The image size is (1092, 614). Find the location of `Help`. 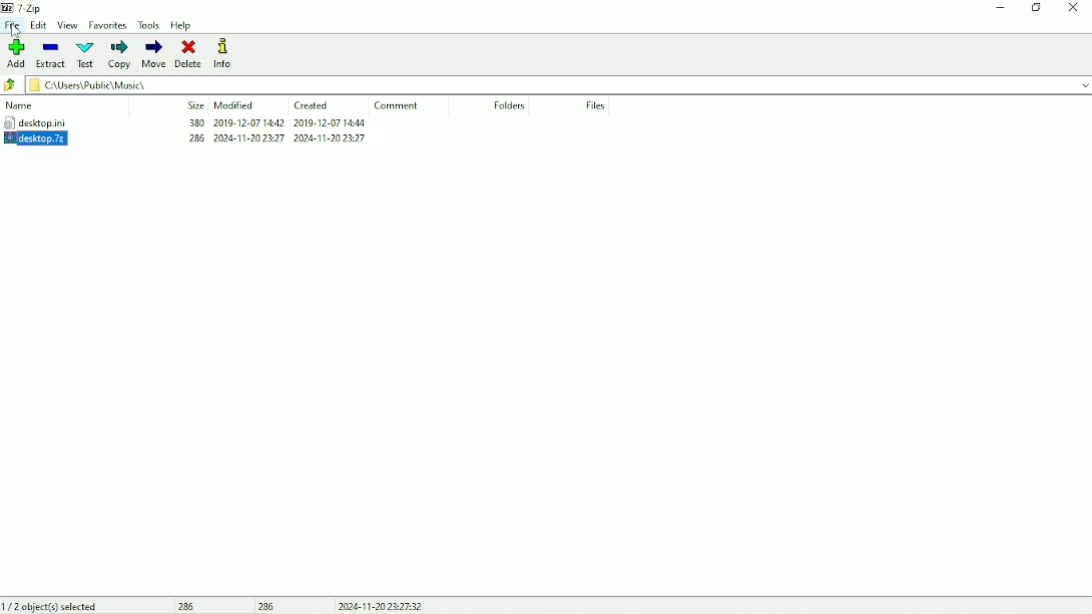

Help is located at coordinates (183, 25).